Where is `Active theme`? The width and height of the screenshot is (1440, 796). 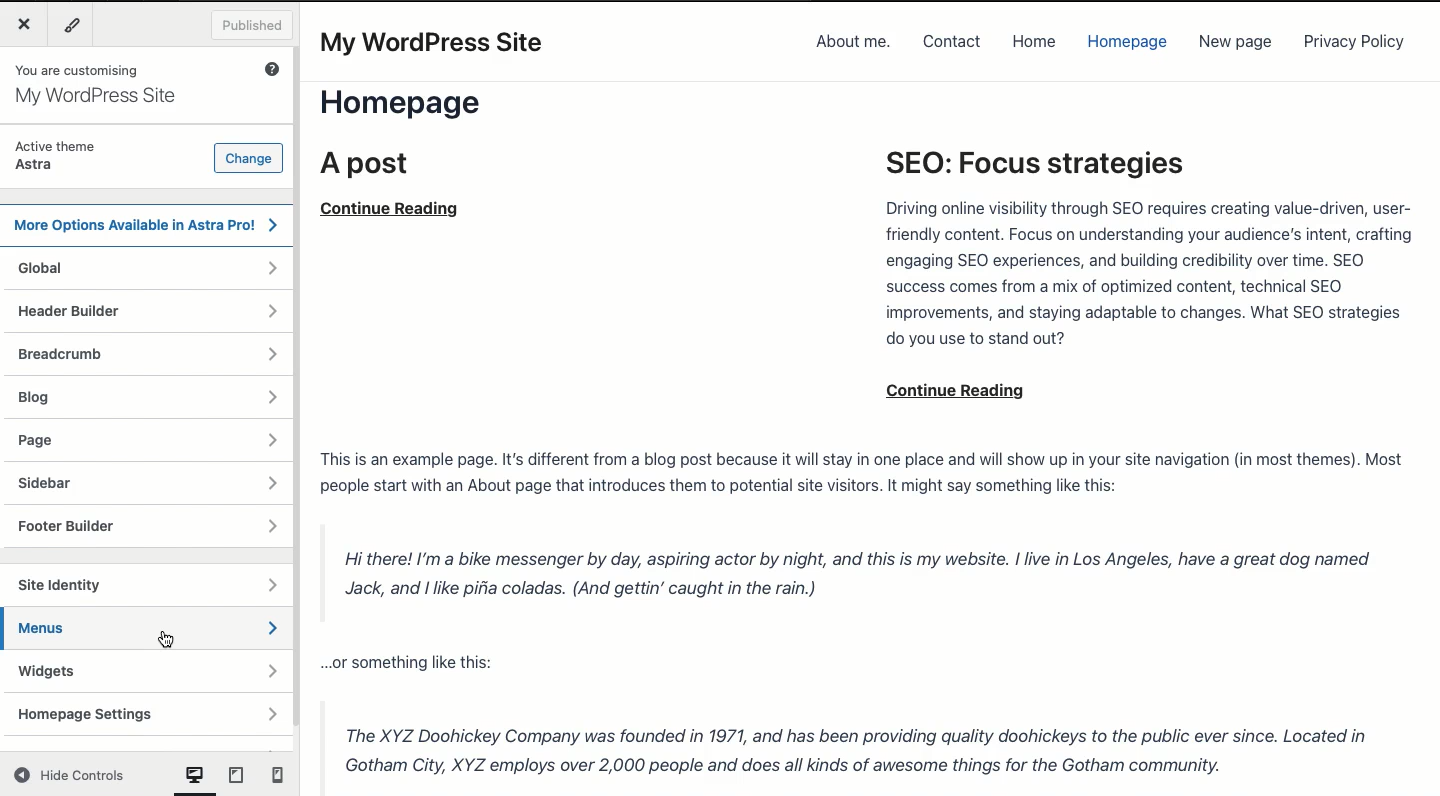
Active theme is located at coordinates (59, 152).